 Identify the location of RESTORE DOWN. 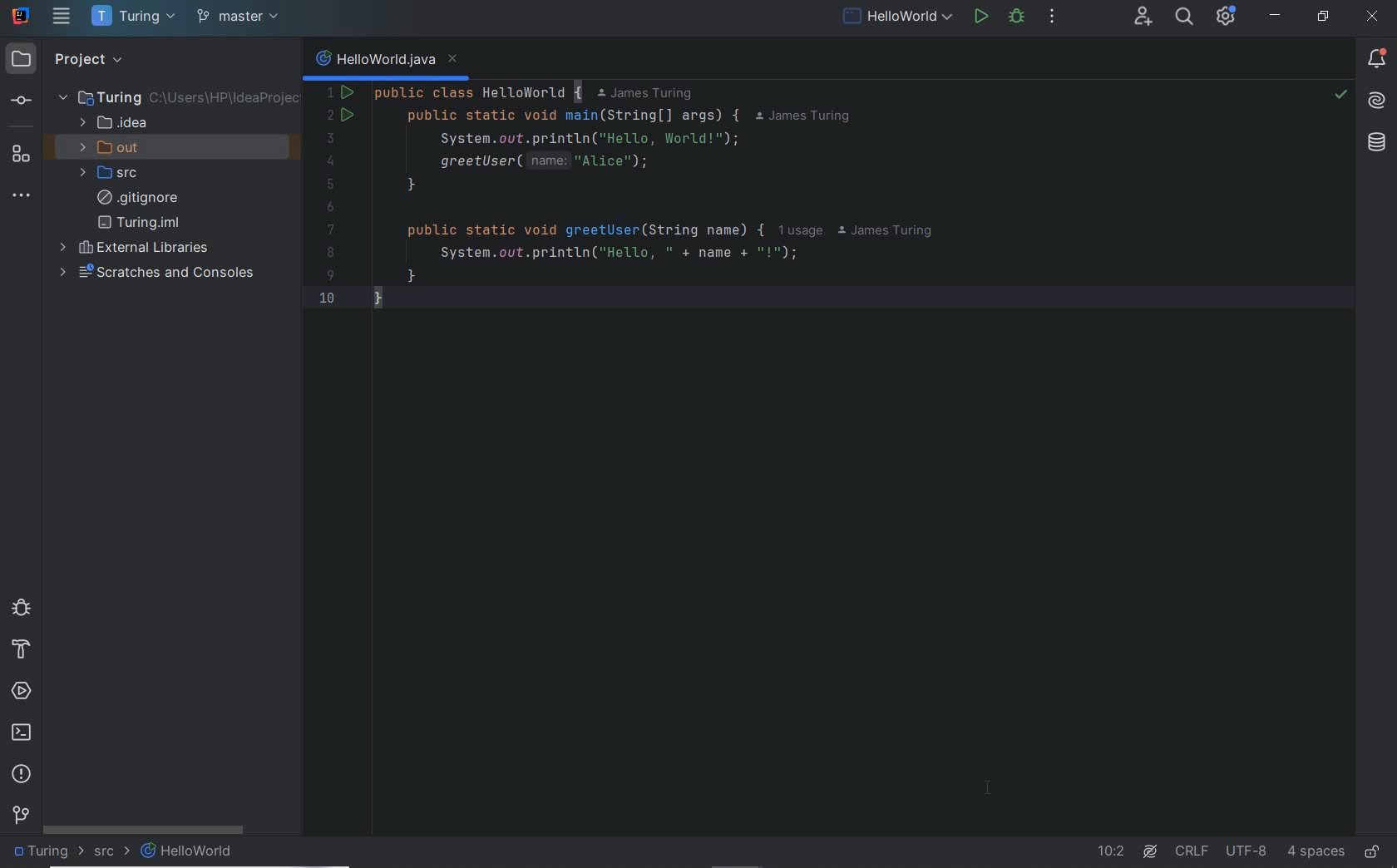
(1324, 18).